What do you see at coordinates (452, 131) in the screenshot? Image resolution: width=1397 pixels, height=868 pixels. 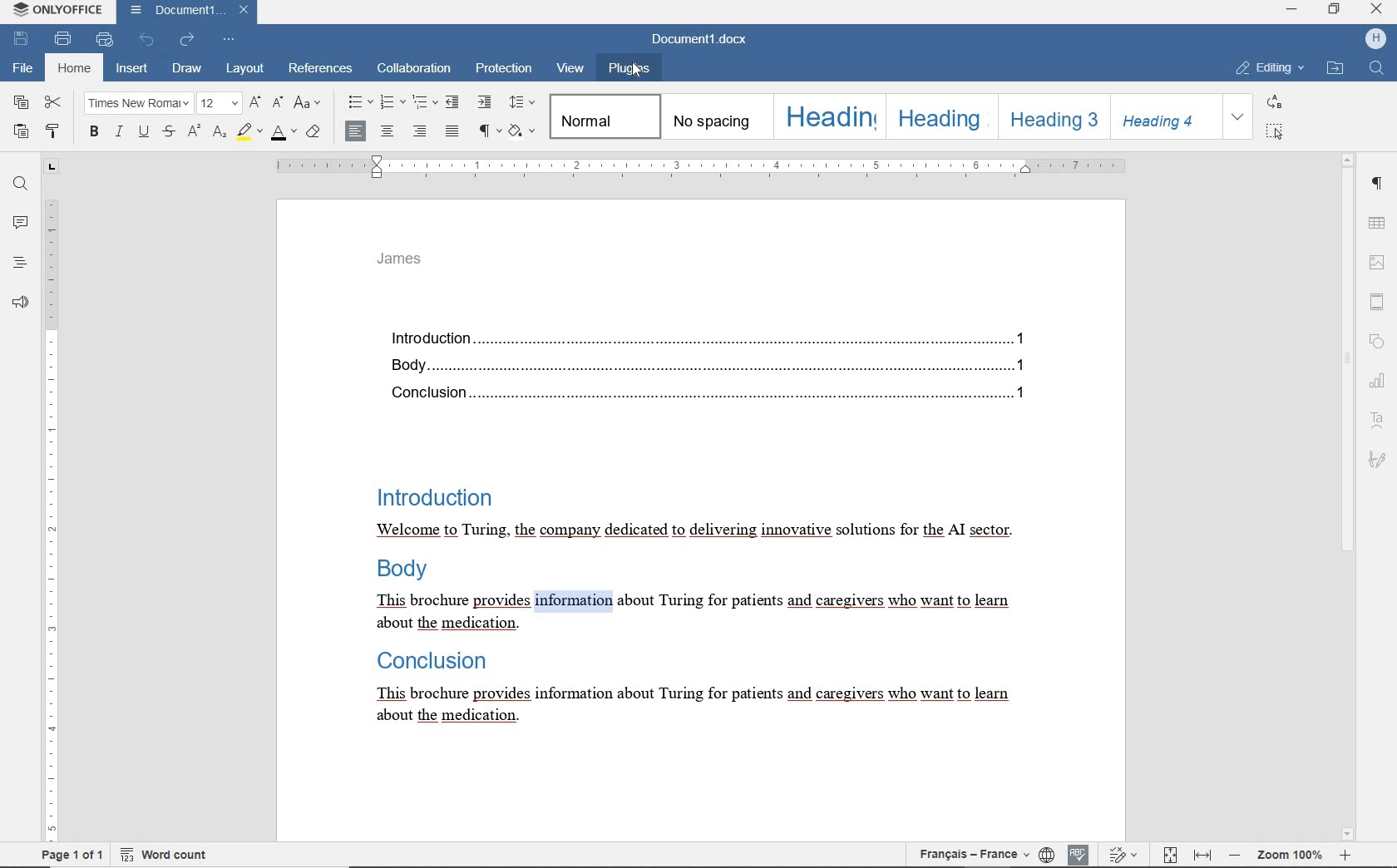 I see `JUSTIFIED` at bounding box center [452, 131].